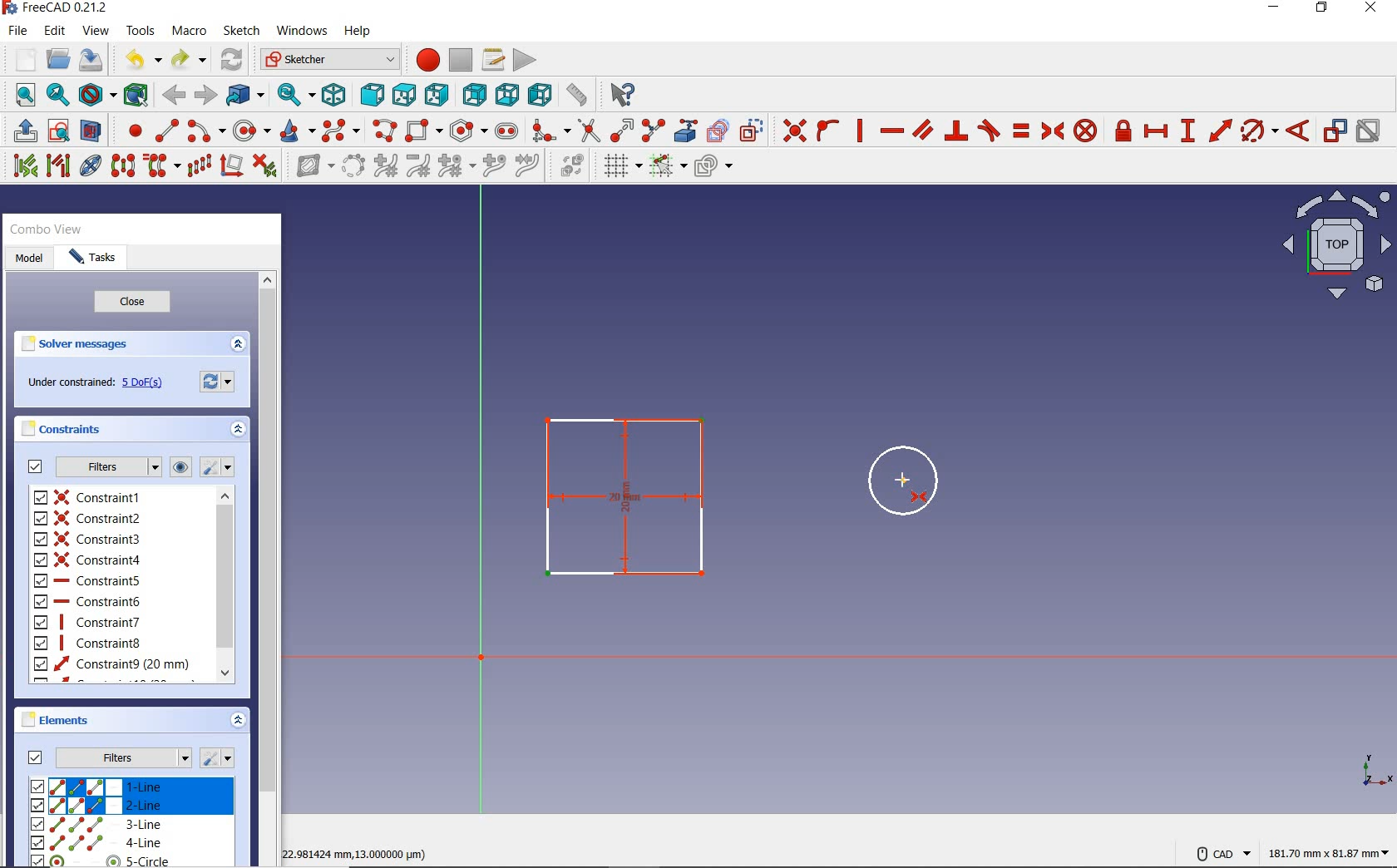  Describe the element at coordinates (88, 518) in the screenshot. I see `constraint2` at that location.